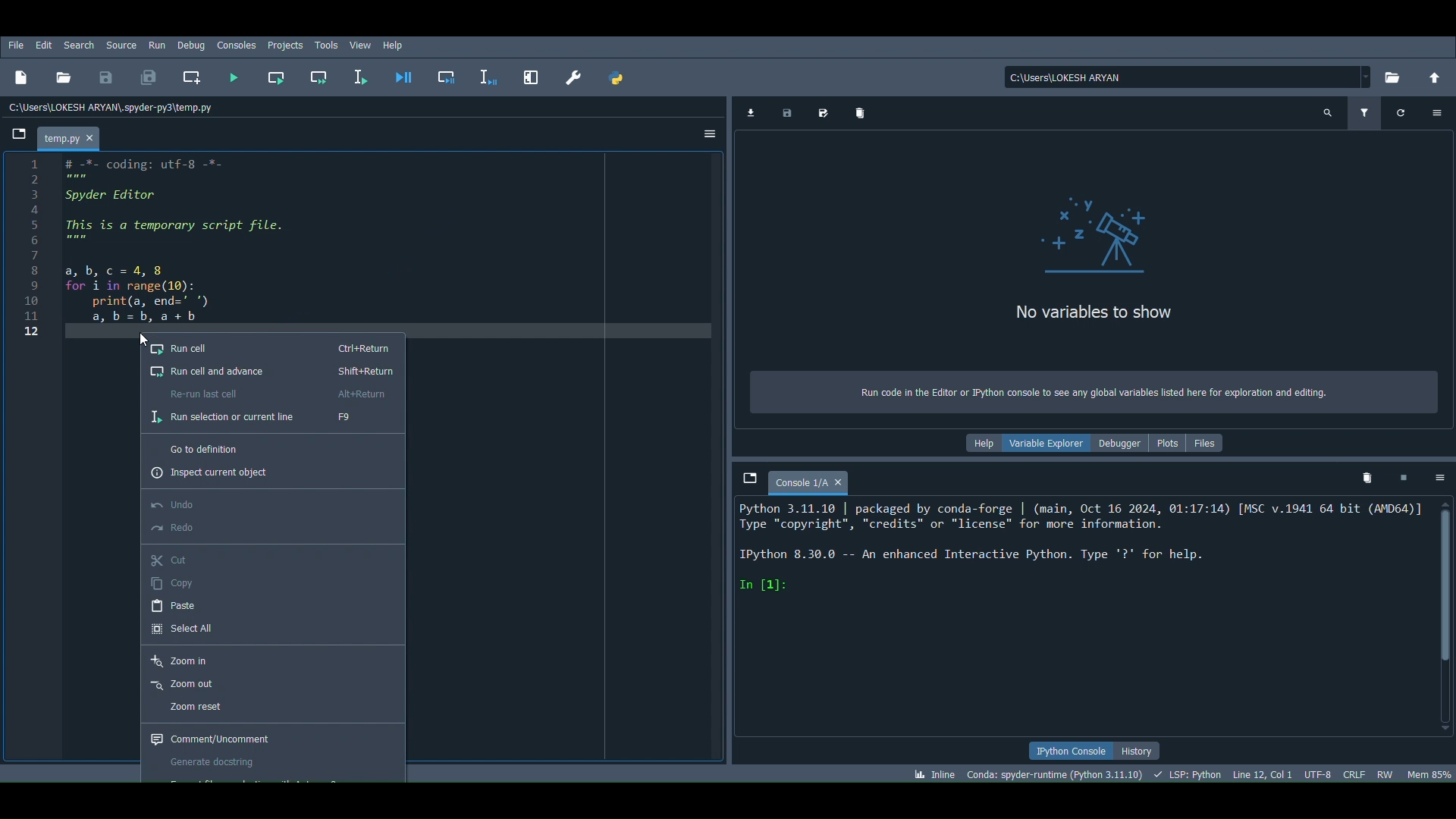 This screenshot has height=819, width=1456. I want to click on Remove all variables, so click(861, 112).